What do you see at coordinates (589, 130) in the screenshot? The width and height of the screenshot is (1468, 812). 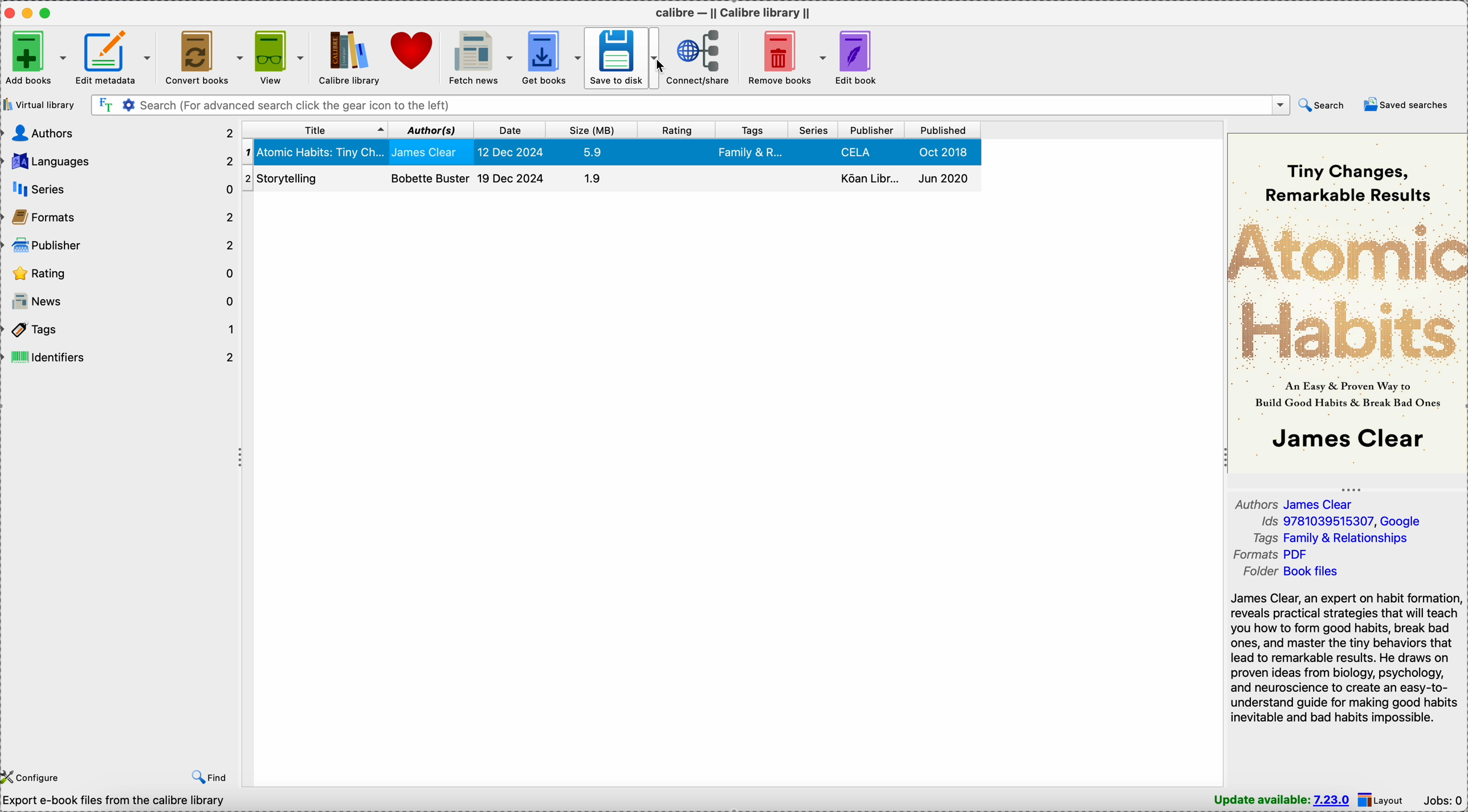 I see `size` at bounding box center [589, 130].